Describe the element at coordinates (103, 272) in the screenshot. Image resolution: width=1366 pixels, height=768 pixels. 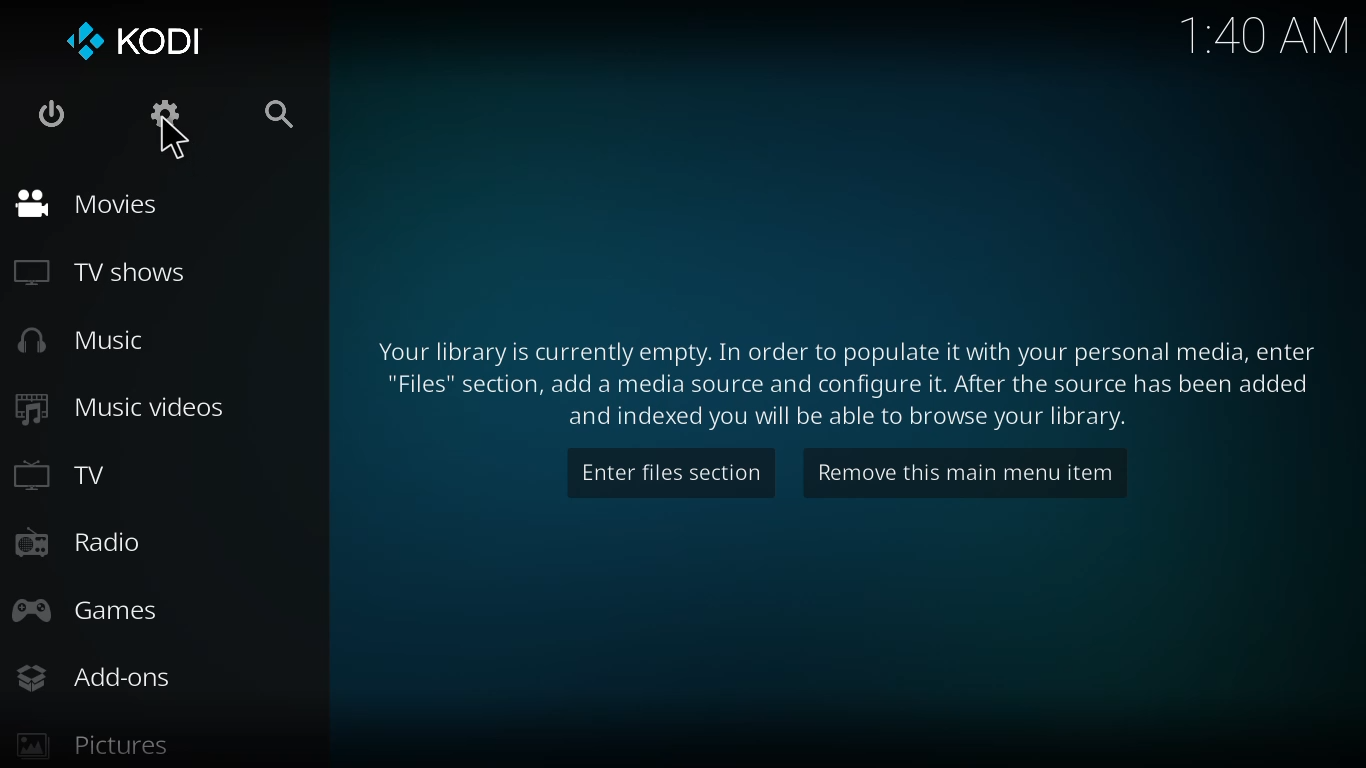
I see `tv shows` at that location.